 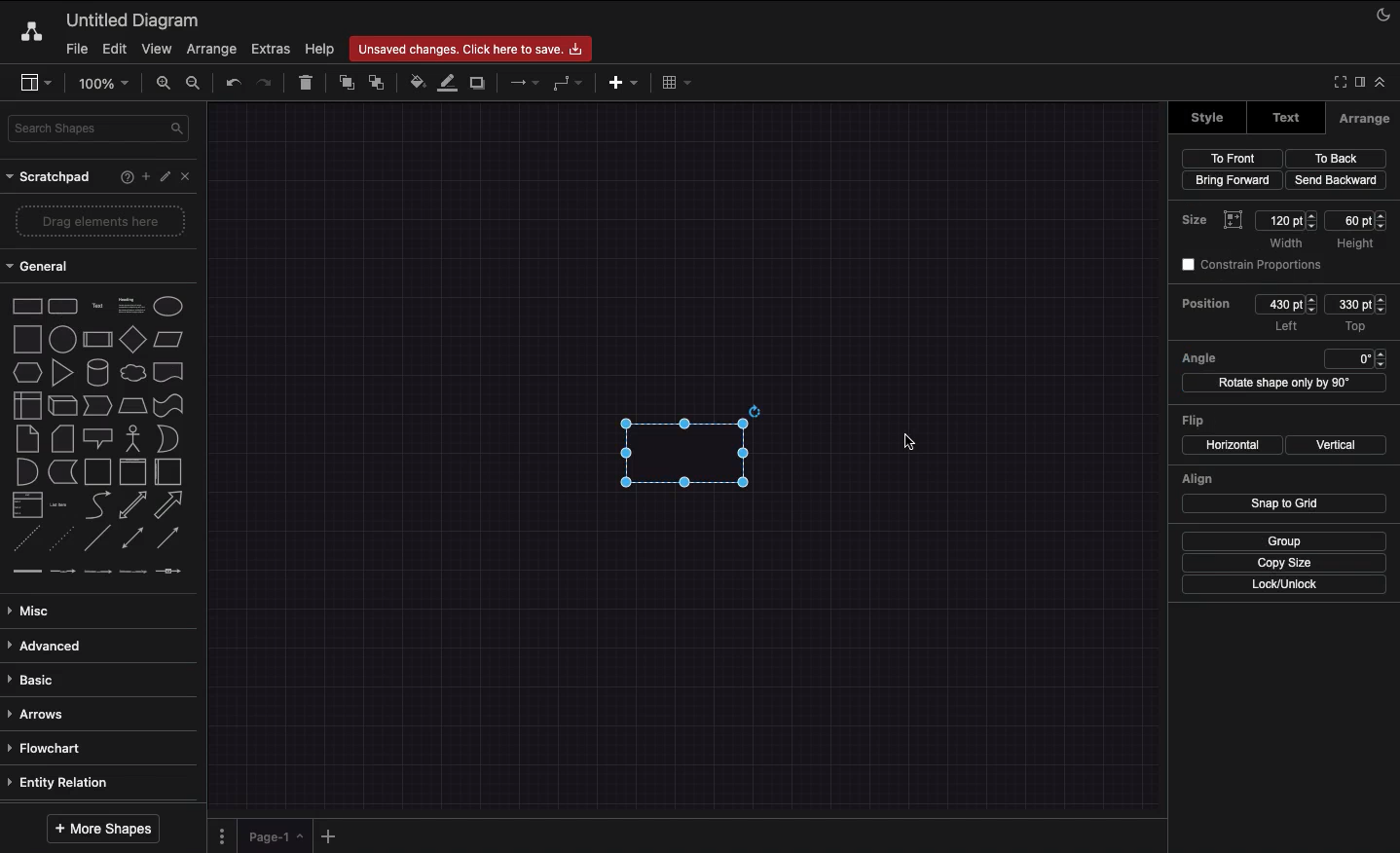 I want to click on Rotate shape by 90, so click(x=1283, y=382).